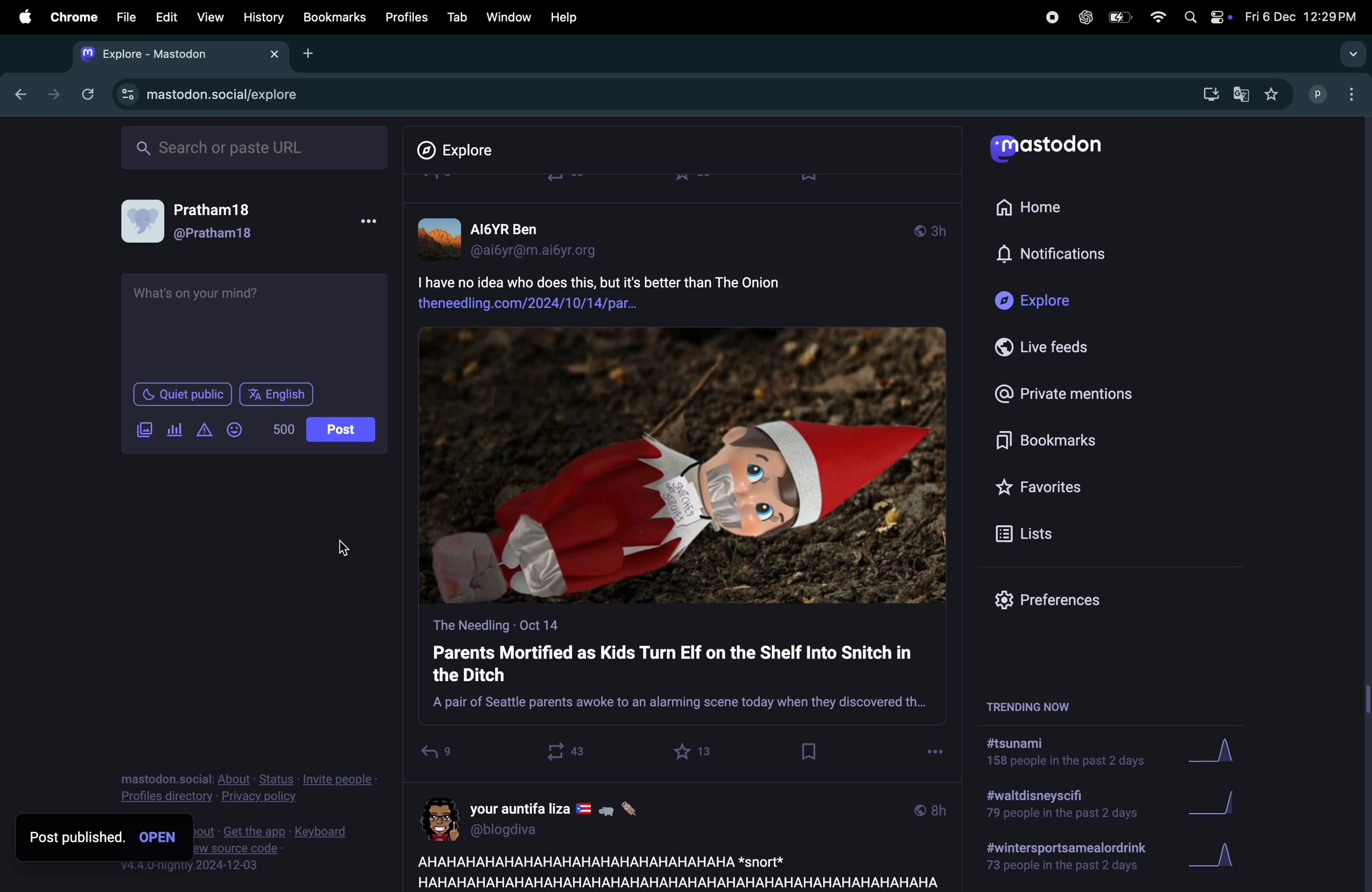  I want to click on chrome, so click(71, 17).